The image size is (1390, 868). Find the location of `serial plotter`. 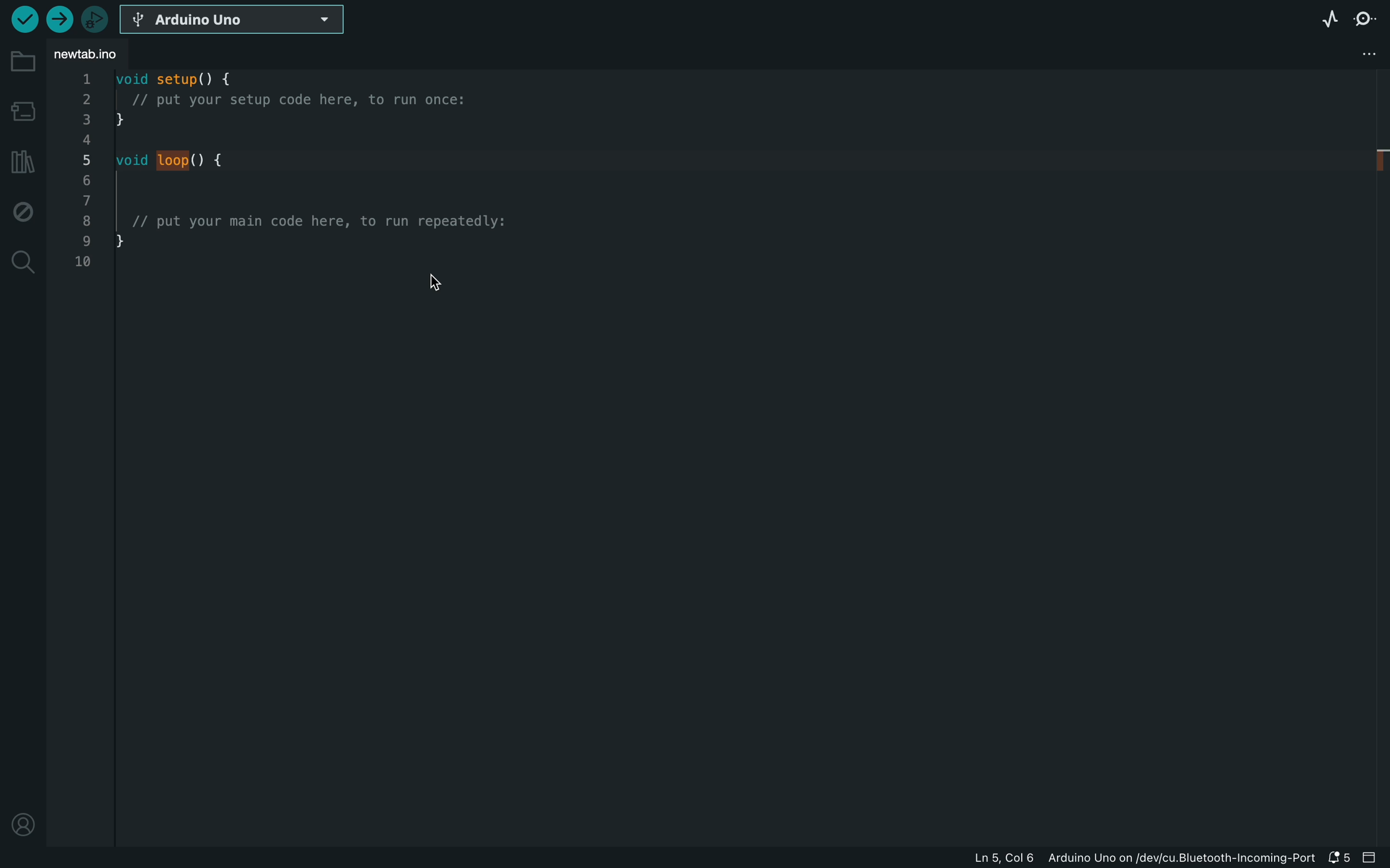

serial plotter is located at coordinates (1330, 19).